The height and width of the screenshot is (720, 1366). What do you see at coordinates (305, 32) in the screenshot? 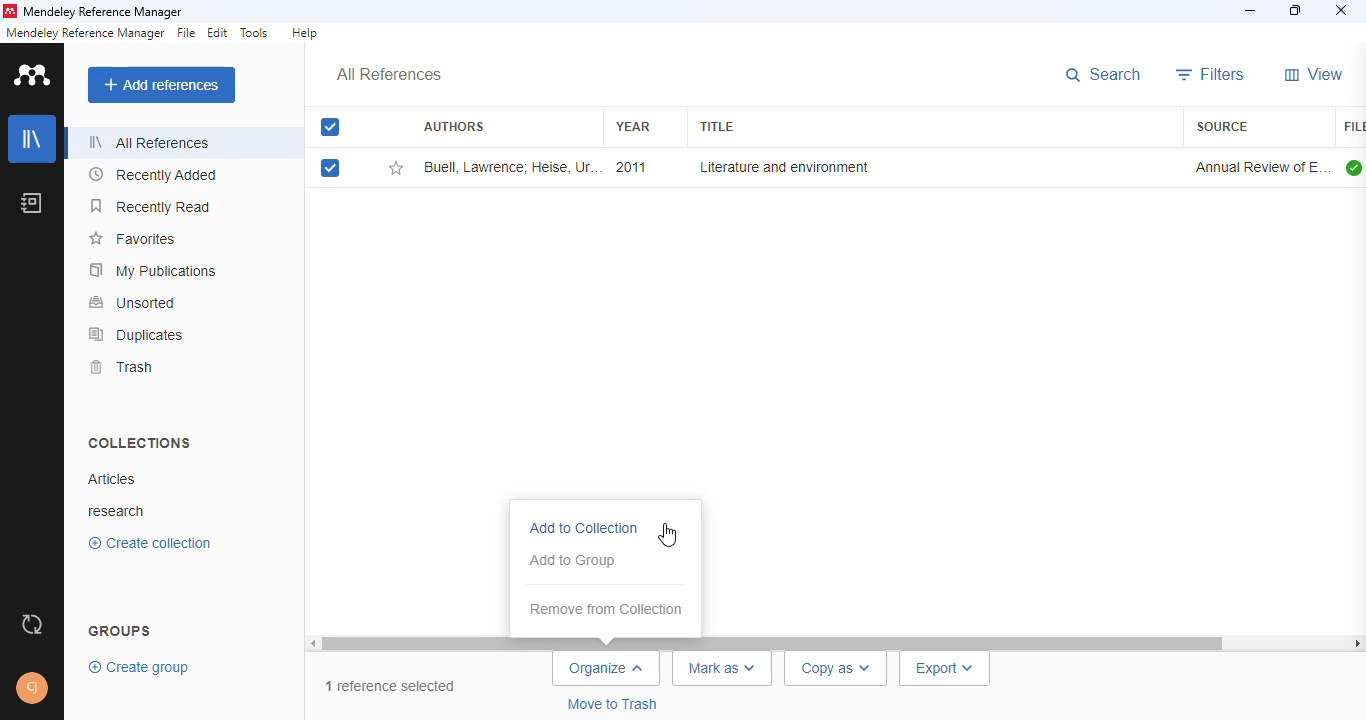
I see `help` at bounding box center [305, 32].